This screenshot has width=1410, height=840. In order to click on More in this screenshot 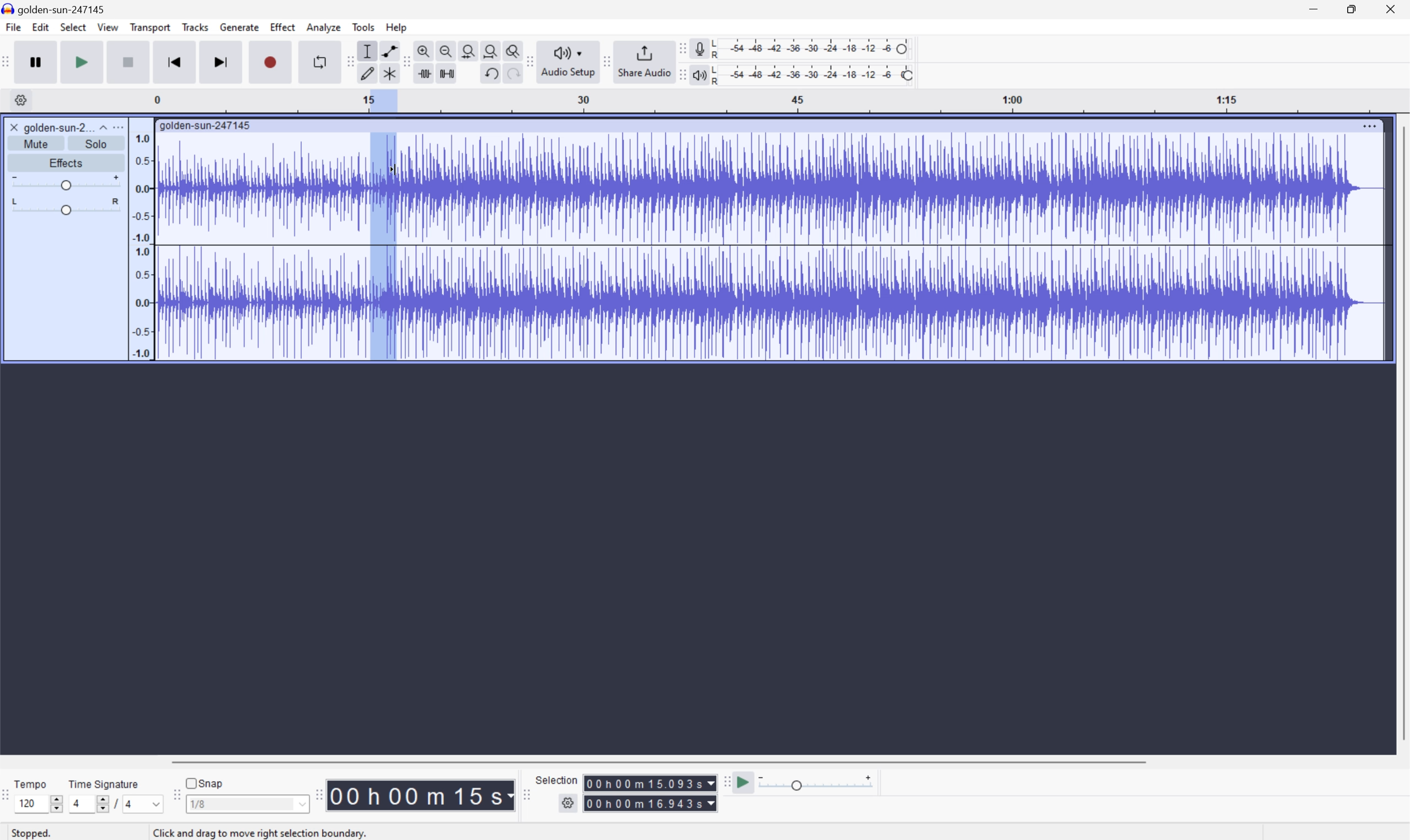, I will do `click(1370, 123)`.